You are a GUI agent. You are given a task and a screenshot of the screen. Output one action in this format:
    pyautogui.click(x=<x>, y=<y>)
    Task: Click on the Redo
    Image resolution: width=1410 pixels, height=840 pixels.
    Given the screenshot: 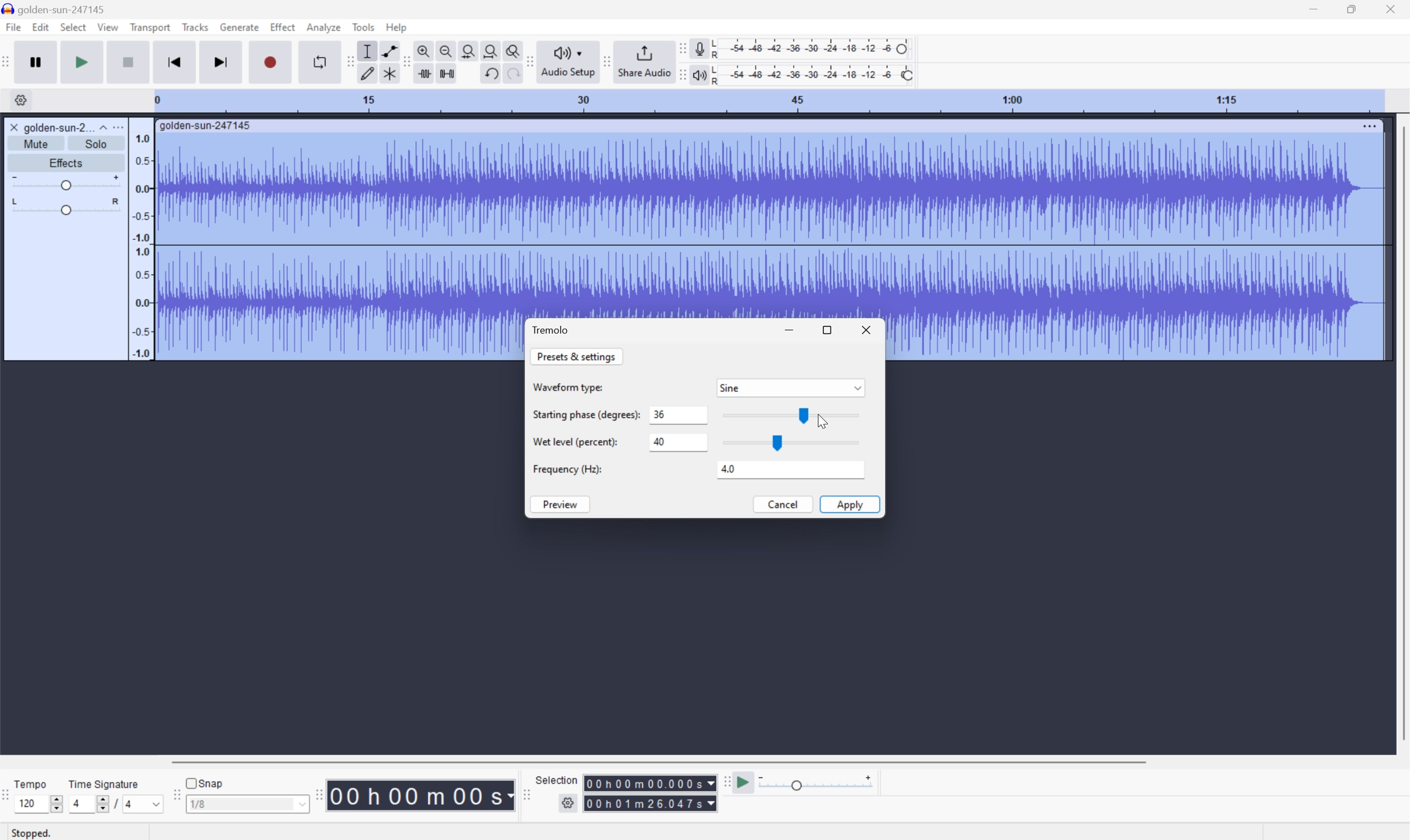 What is the action you would take?
    pyautogui.click(x=512, y=75)
    